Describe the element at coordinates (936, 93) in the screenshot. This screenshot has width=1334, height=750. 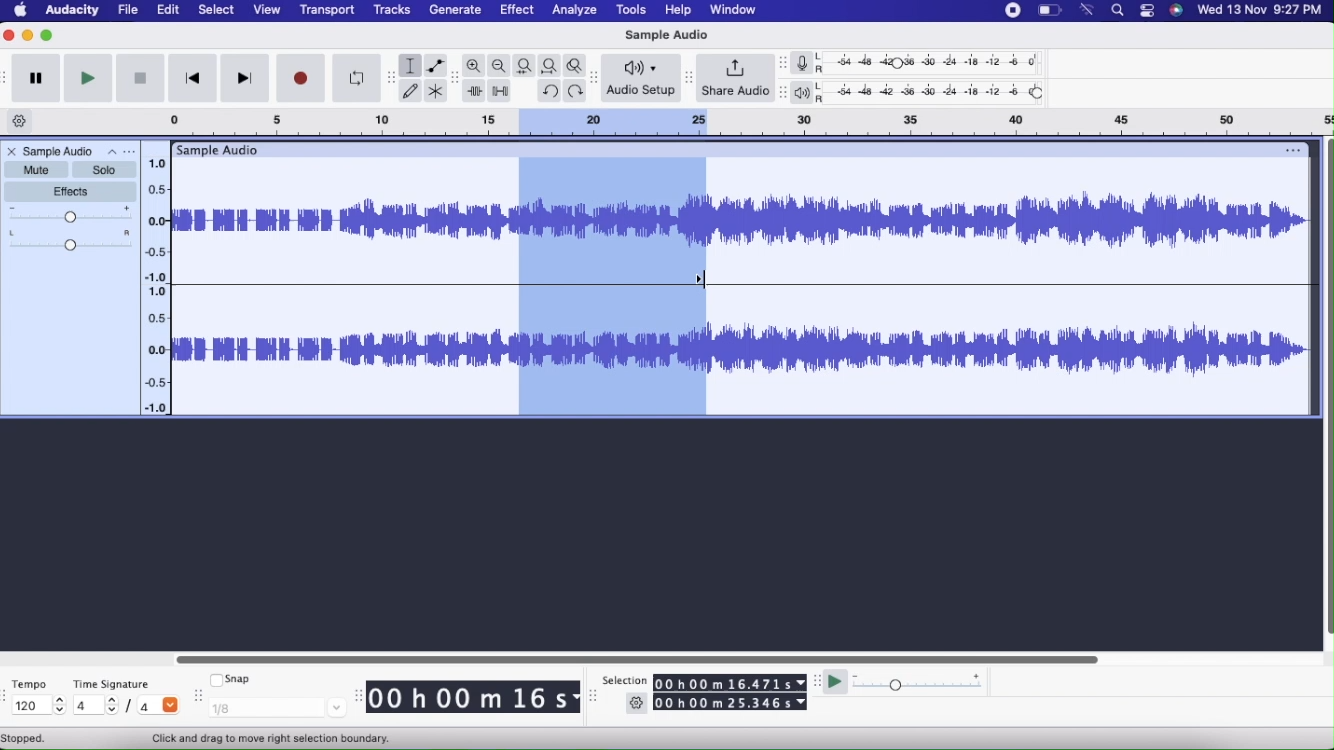
I see `Playback level` at that location.